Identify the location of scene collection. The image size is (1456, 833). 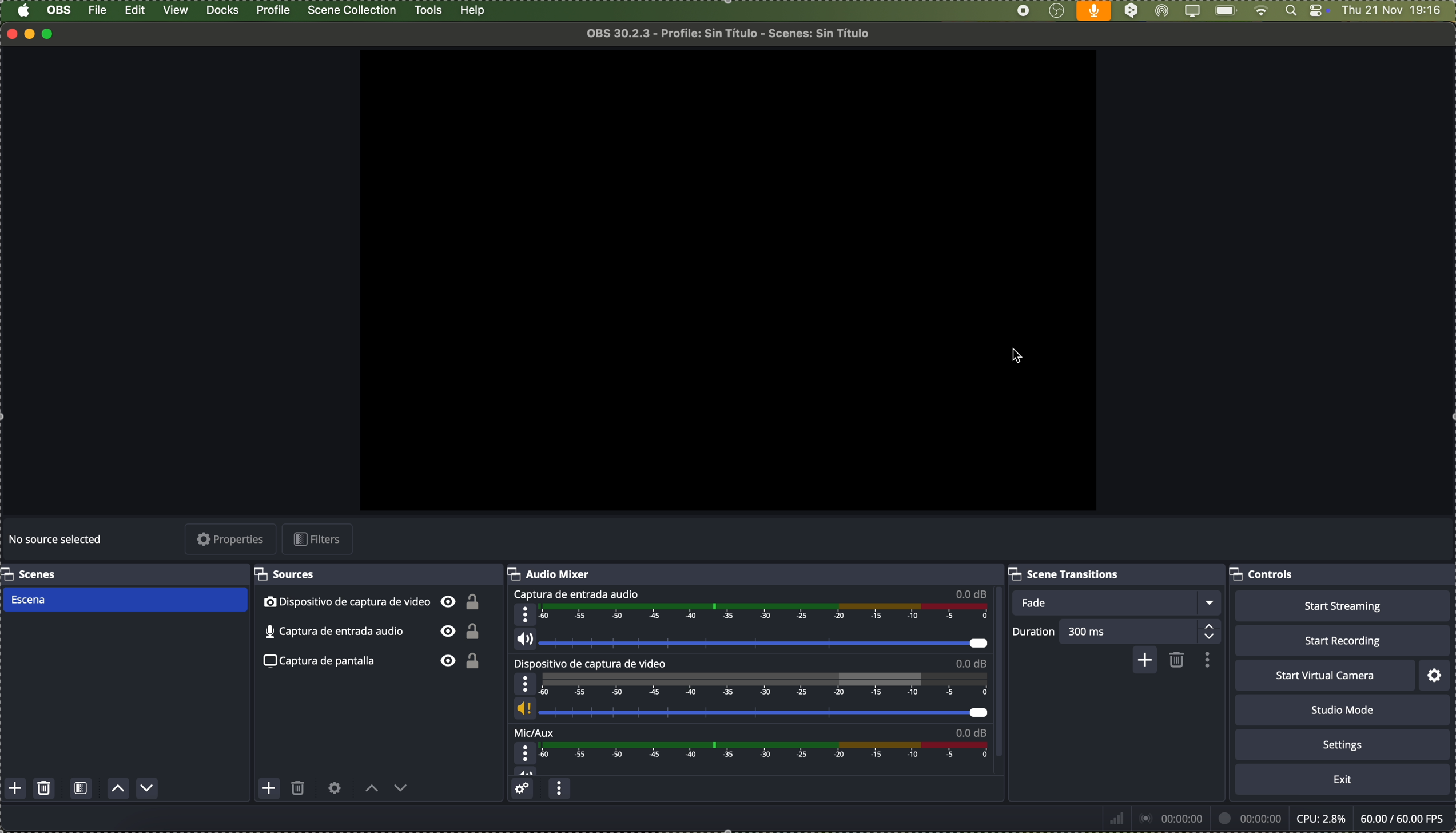
(353, 10).